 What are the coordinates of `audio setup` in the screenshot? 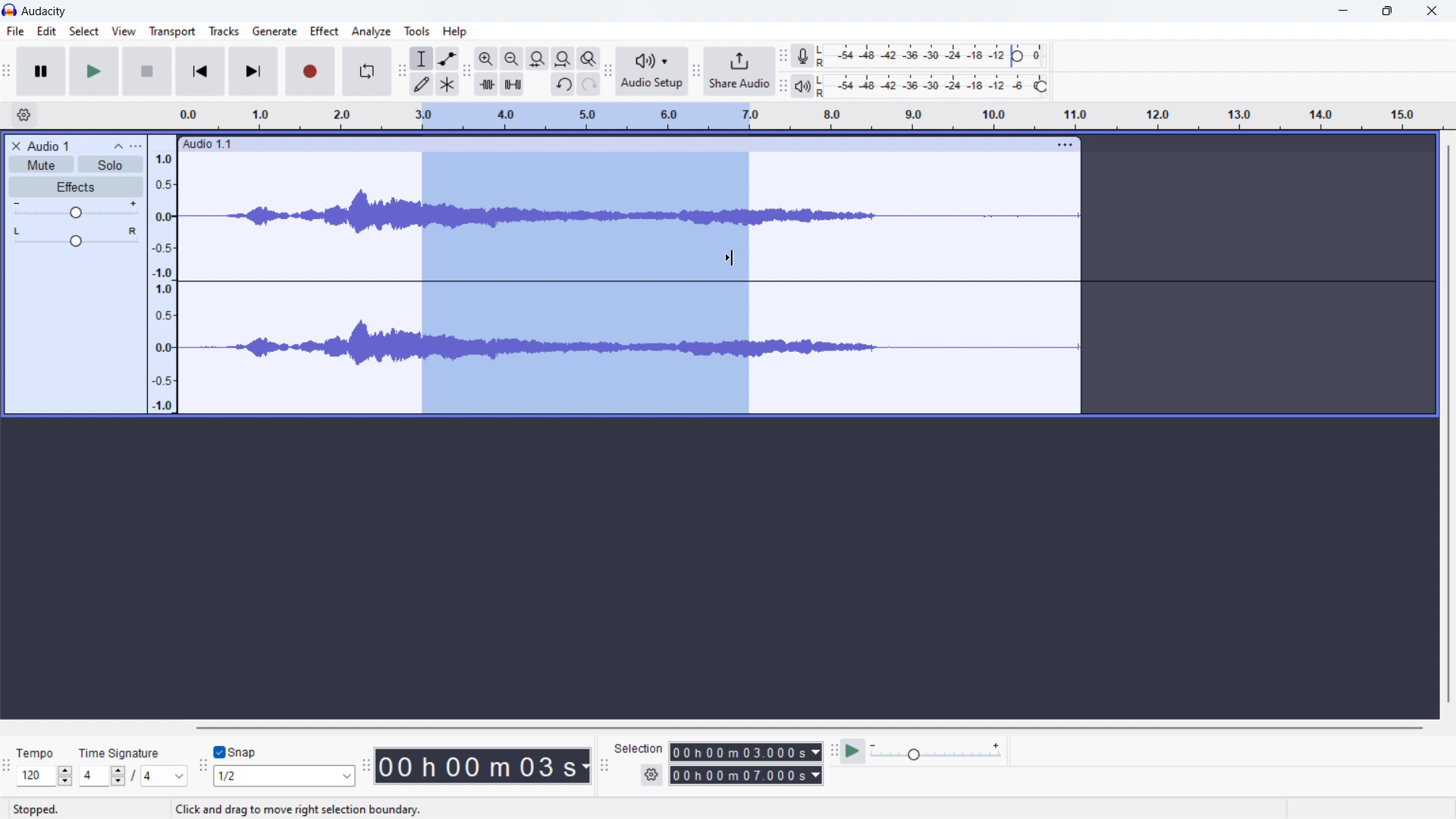 It's located at (652, 73).